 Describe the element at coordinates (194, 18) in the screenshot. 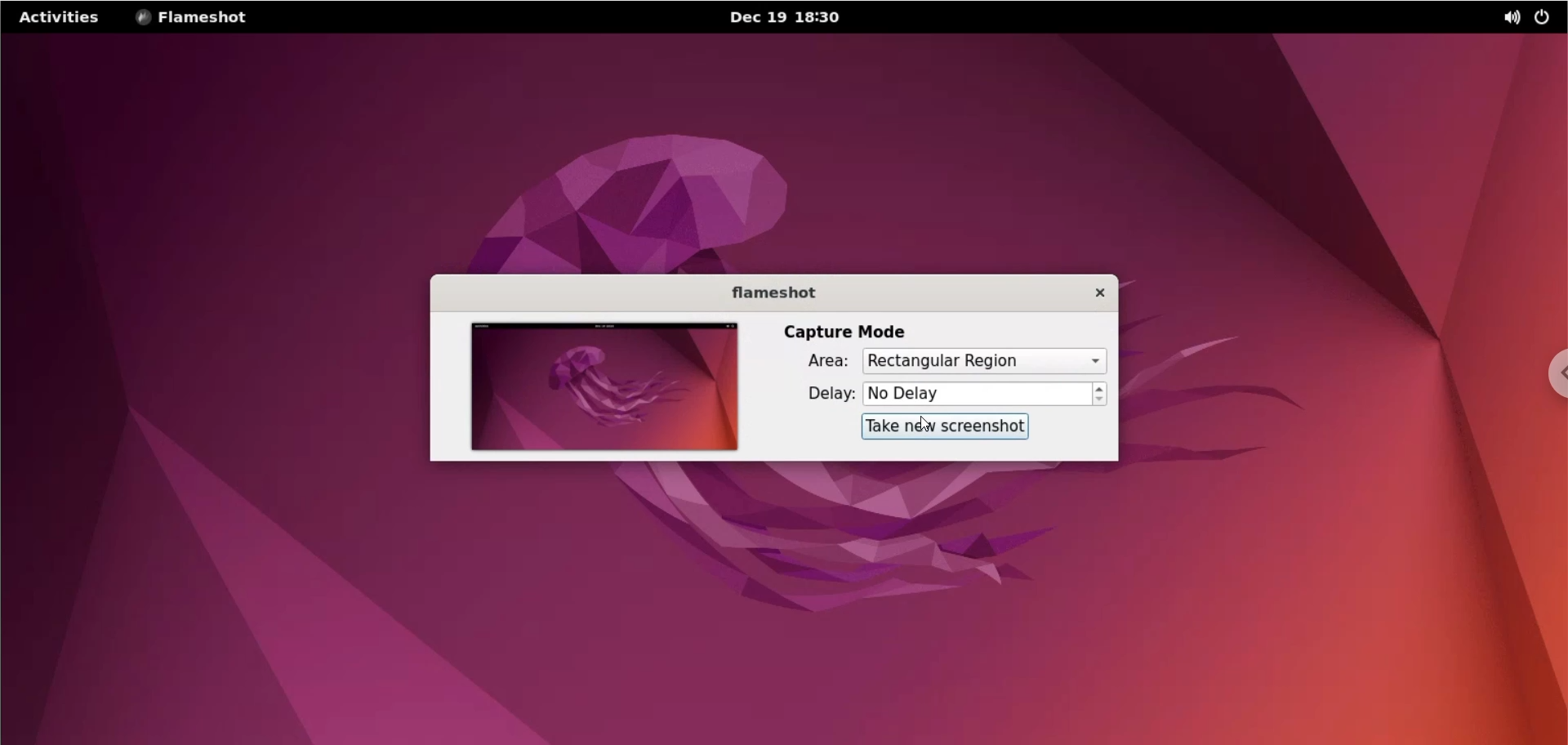

I see `flameshot option` at that location.